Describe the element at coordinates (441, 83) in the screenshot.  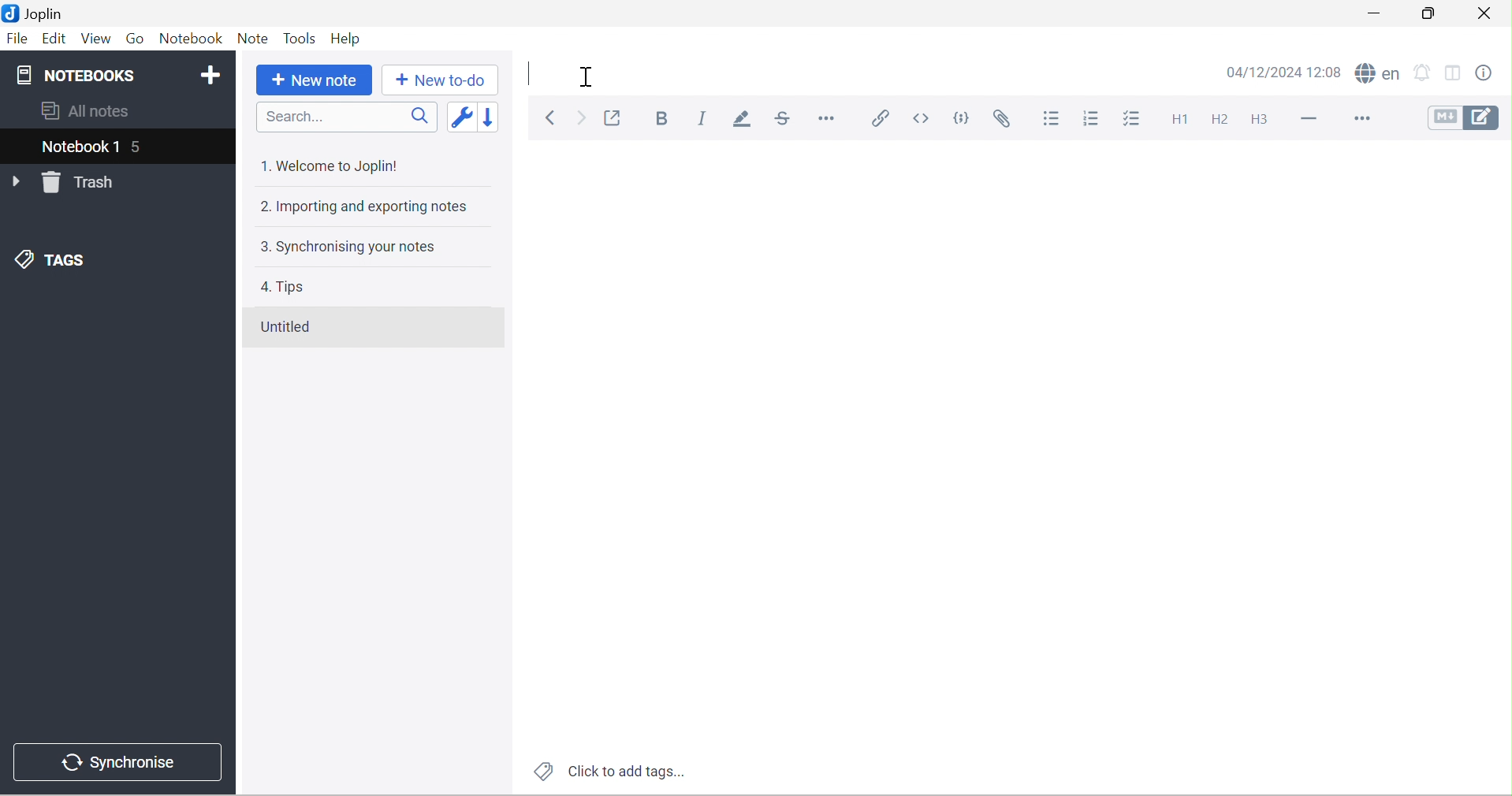
I see `New to-do` at that location.